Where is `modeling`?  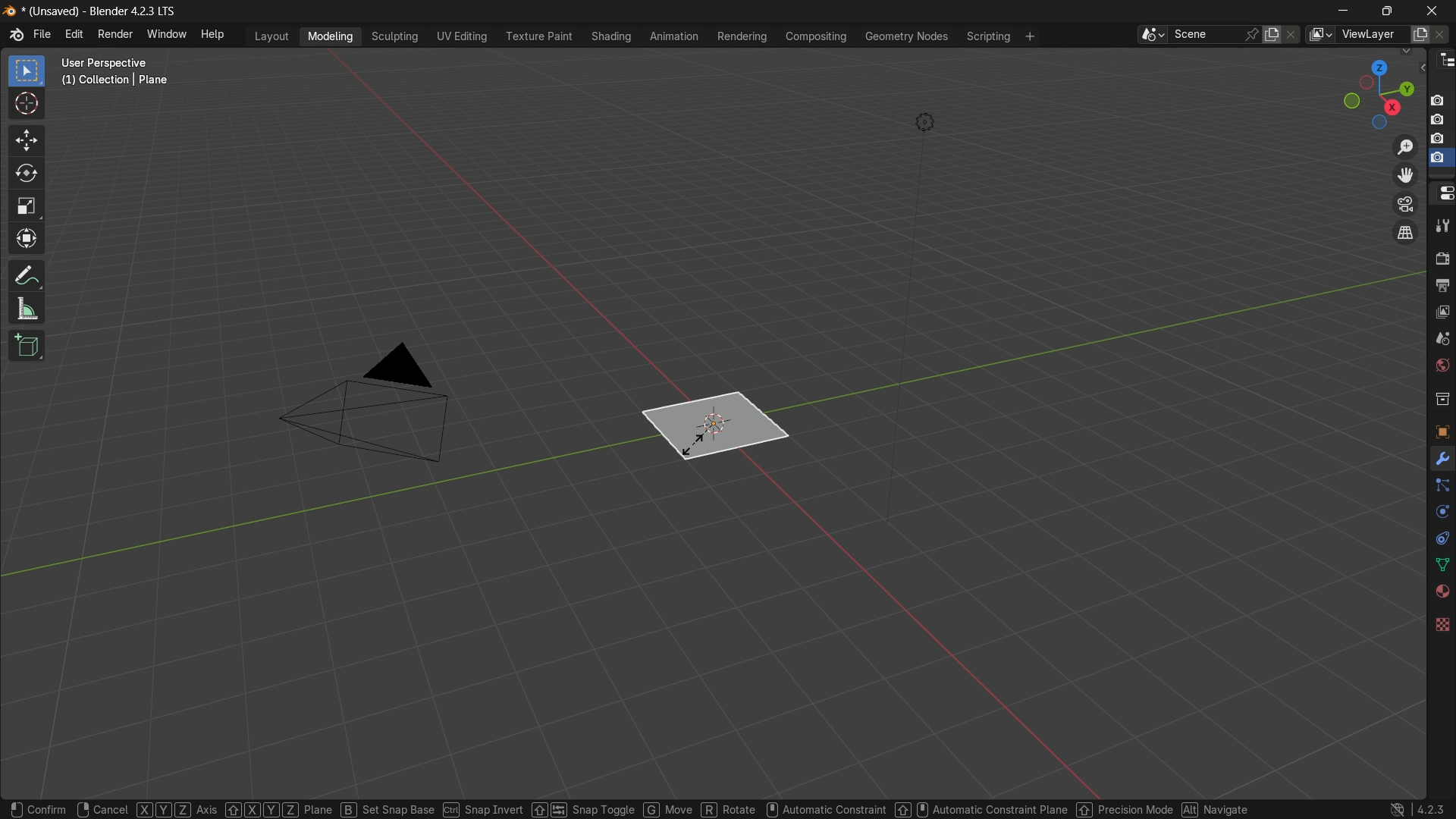
modeling is located at coordinates (328, 36).